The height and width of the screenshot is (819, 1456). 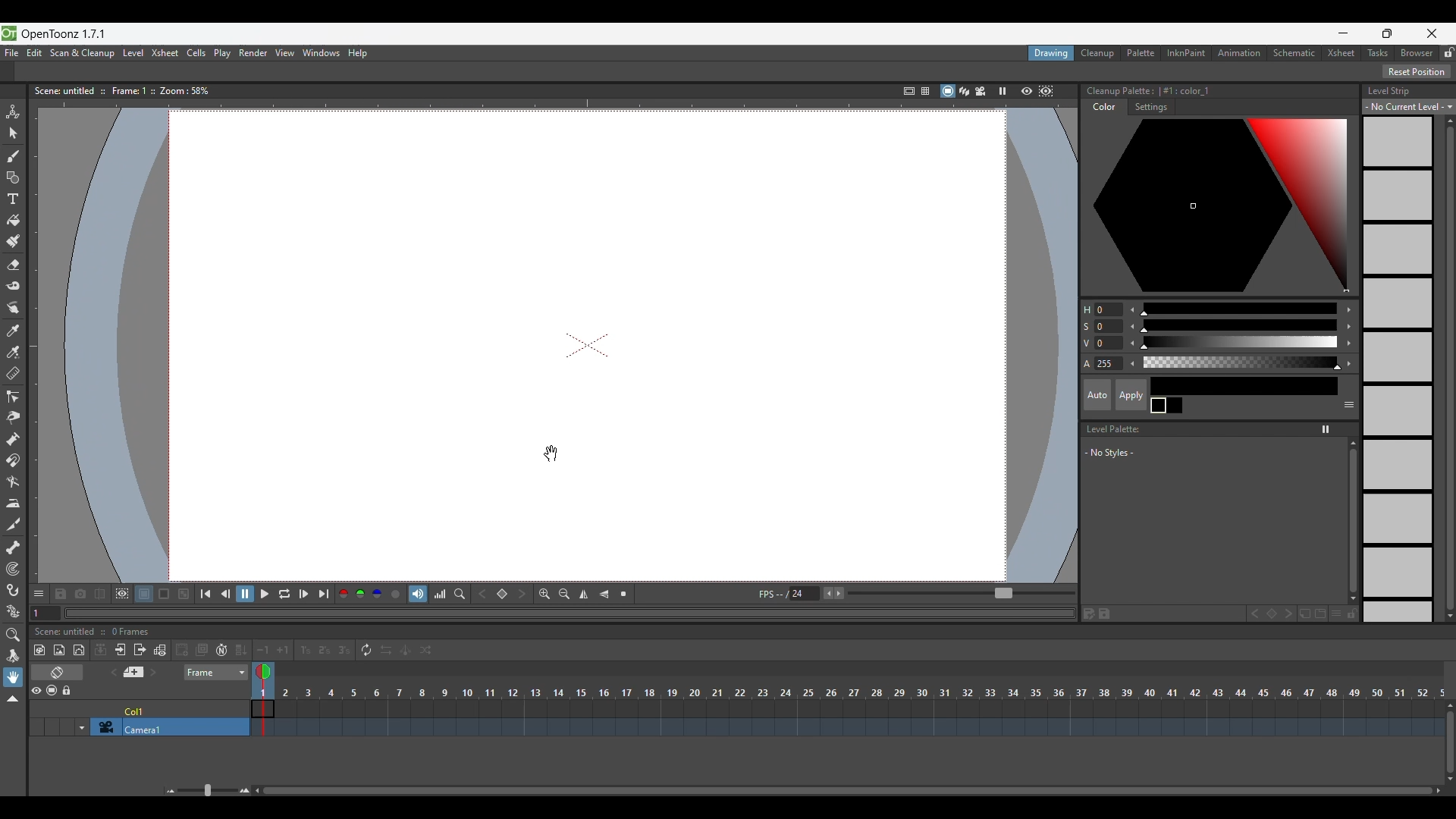 What do you see at coordinates (34, 689) in the screenshot?
I see `Preview visibility toggle all` at bounding box center [34, 689].